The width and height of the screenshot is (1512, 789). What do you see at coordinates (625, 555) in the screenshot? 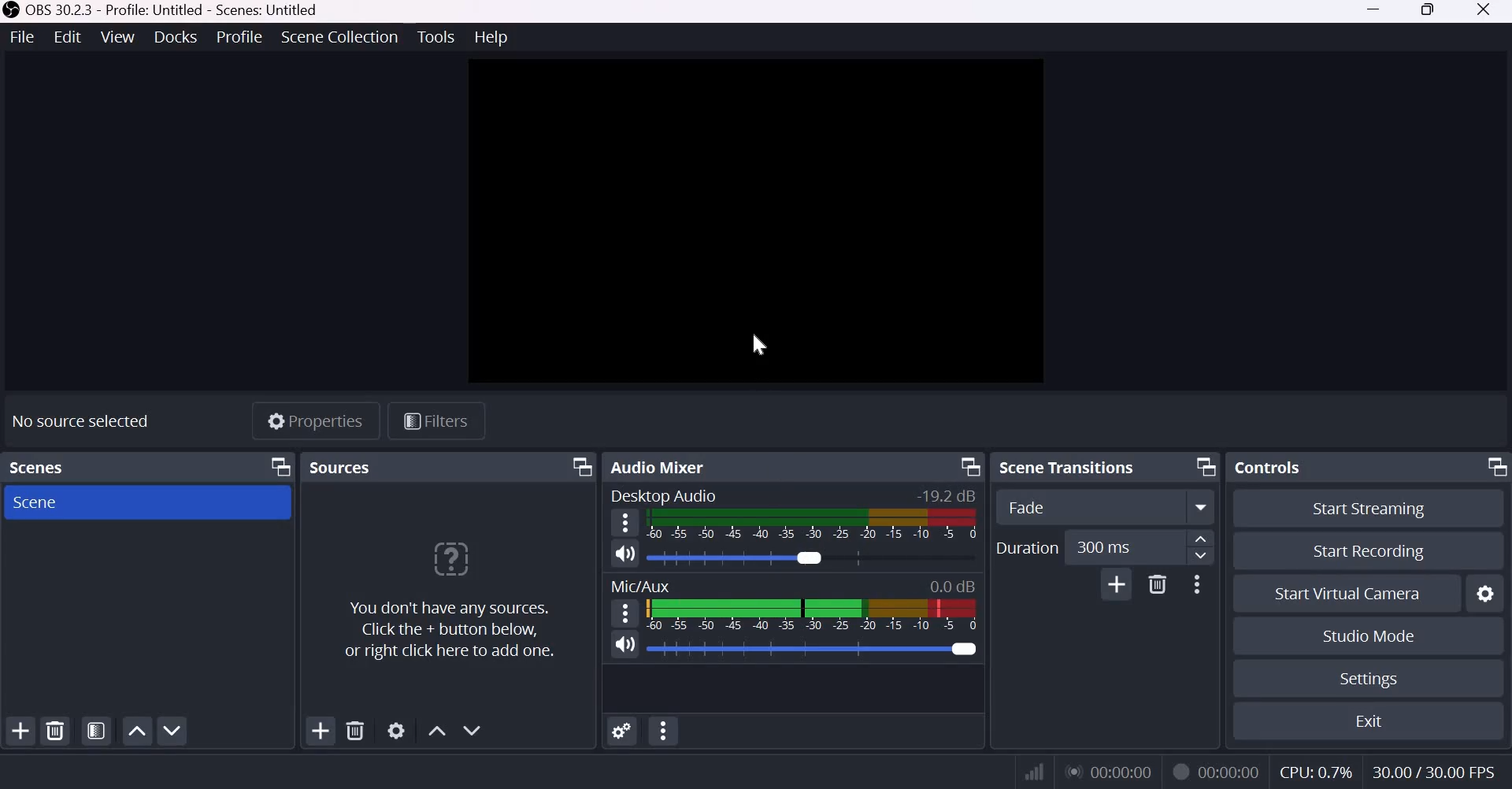
I see `Speaker icon` at bounding box center [625, 555].